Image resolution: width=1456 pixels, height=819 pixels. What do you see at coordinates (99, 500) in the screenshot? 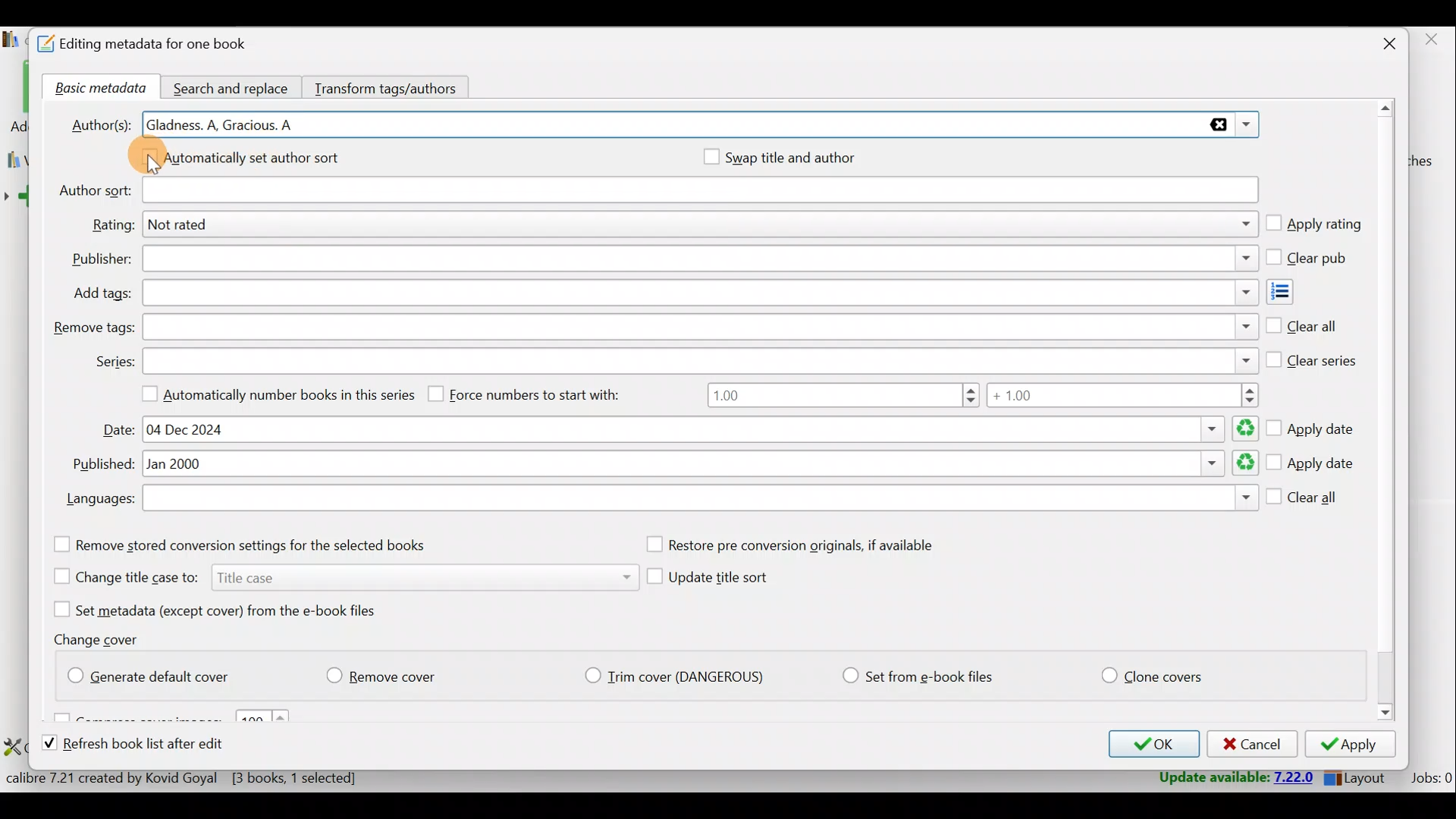
I see `Languages:` at bounding box center [99, 500].